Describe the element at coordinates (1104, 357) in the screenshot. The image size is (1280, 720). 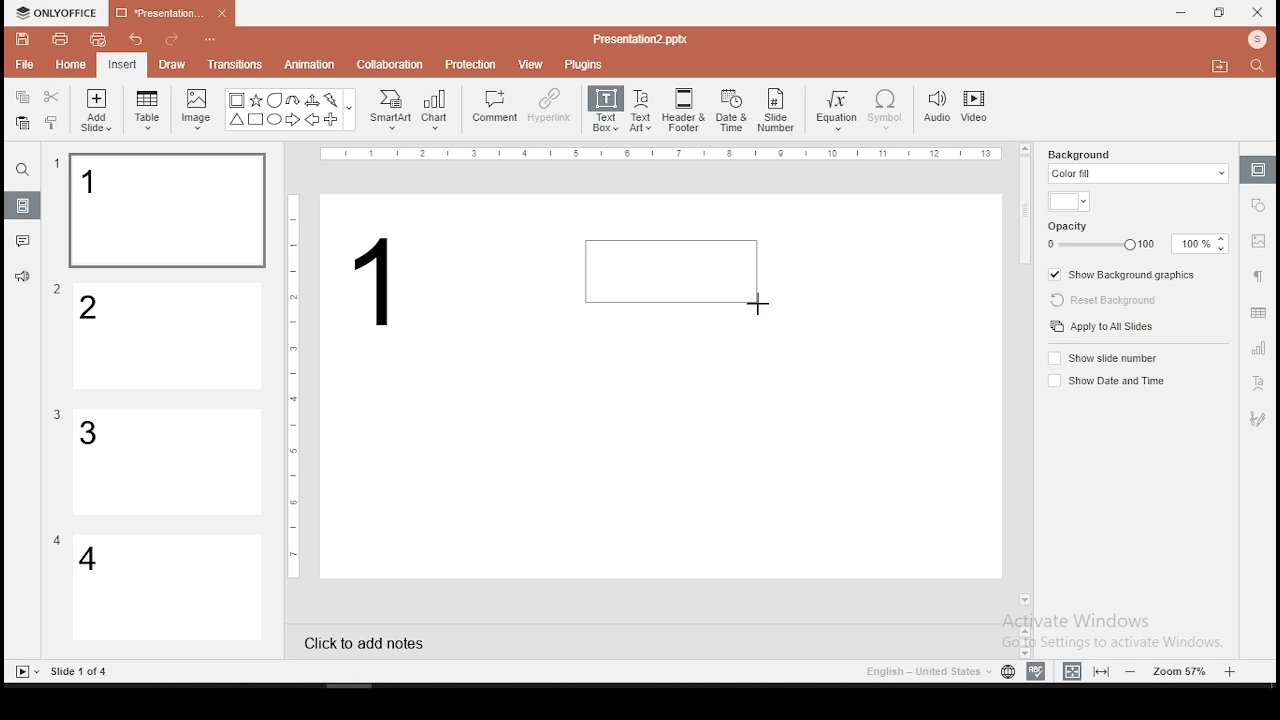
I see `show slide number on/off` at that location.